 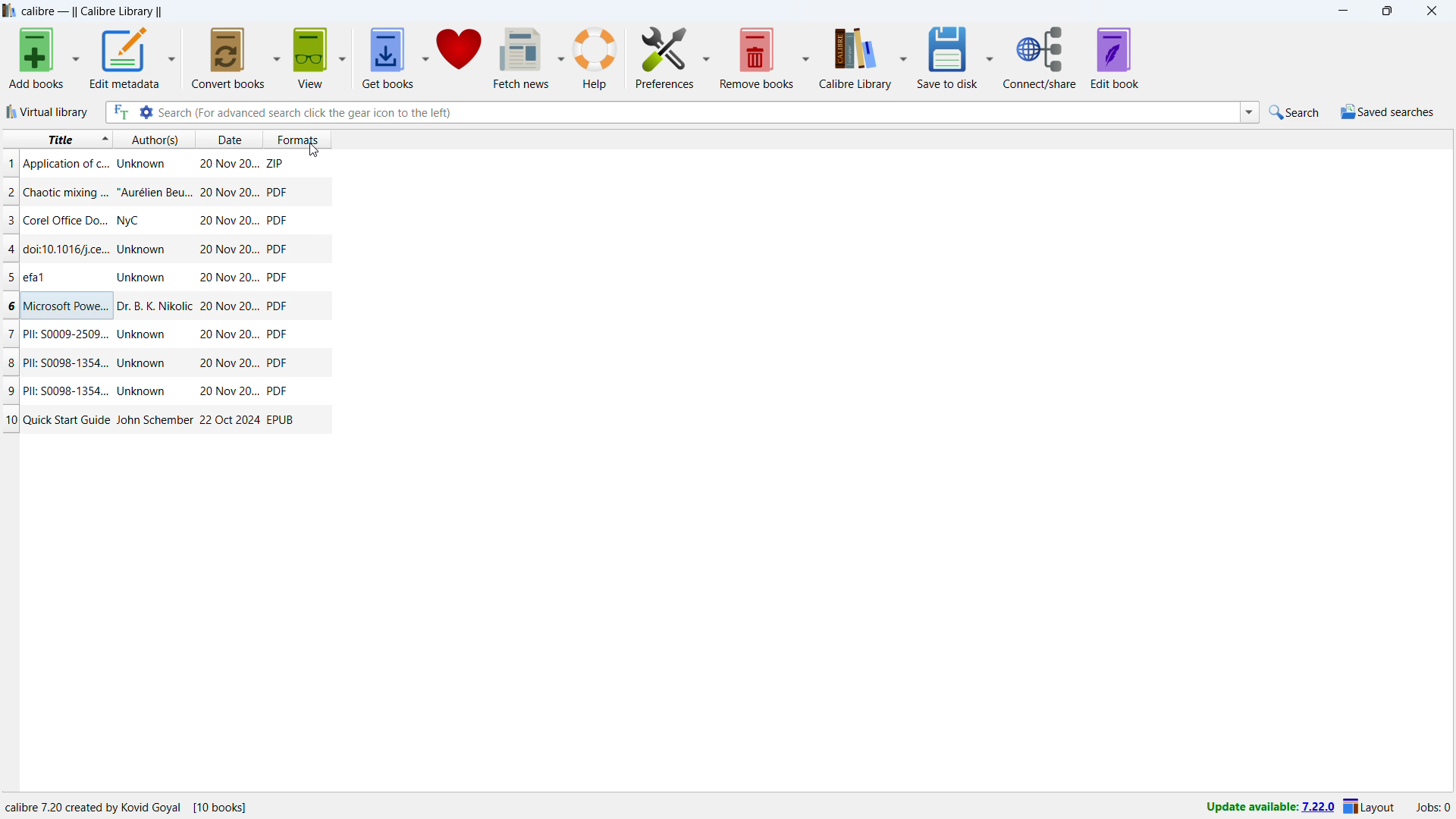 What do you see at coordinates (1386, 111) in the screenshot?
I see `saved searches` at bounding box center [1386, 111].